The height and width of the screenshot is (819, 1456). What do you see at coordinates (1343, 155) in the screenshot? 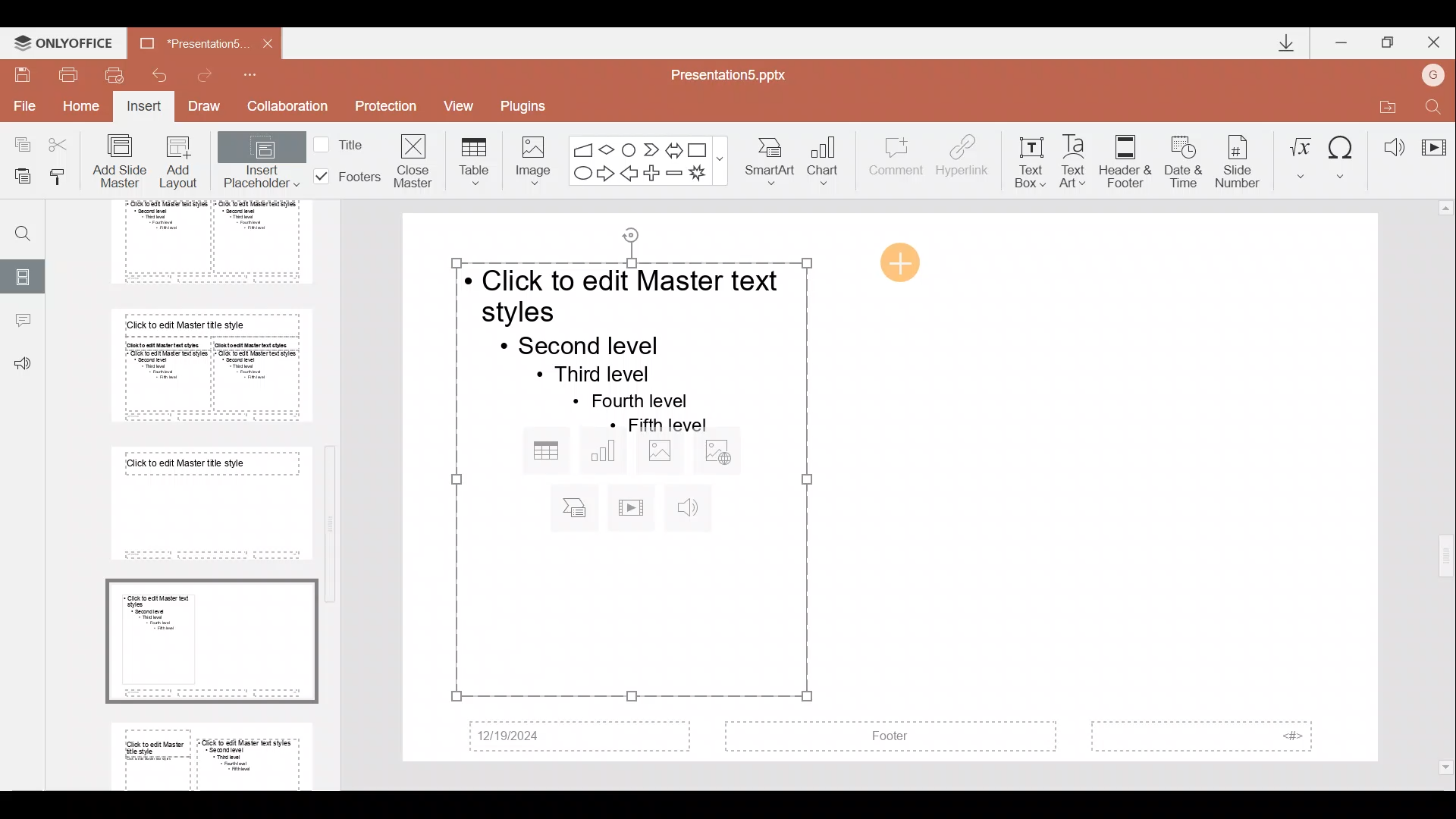
I see `Symbol` at bounding box center [1343, 155].